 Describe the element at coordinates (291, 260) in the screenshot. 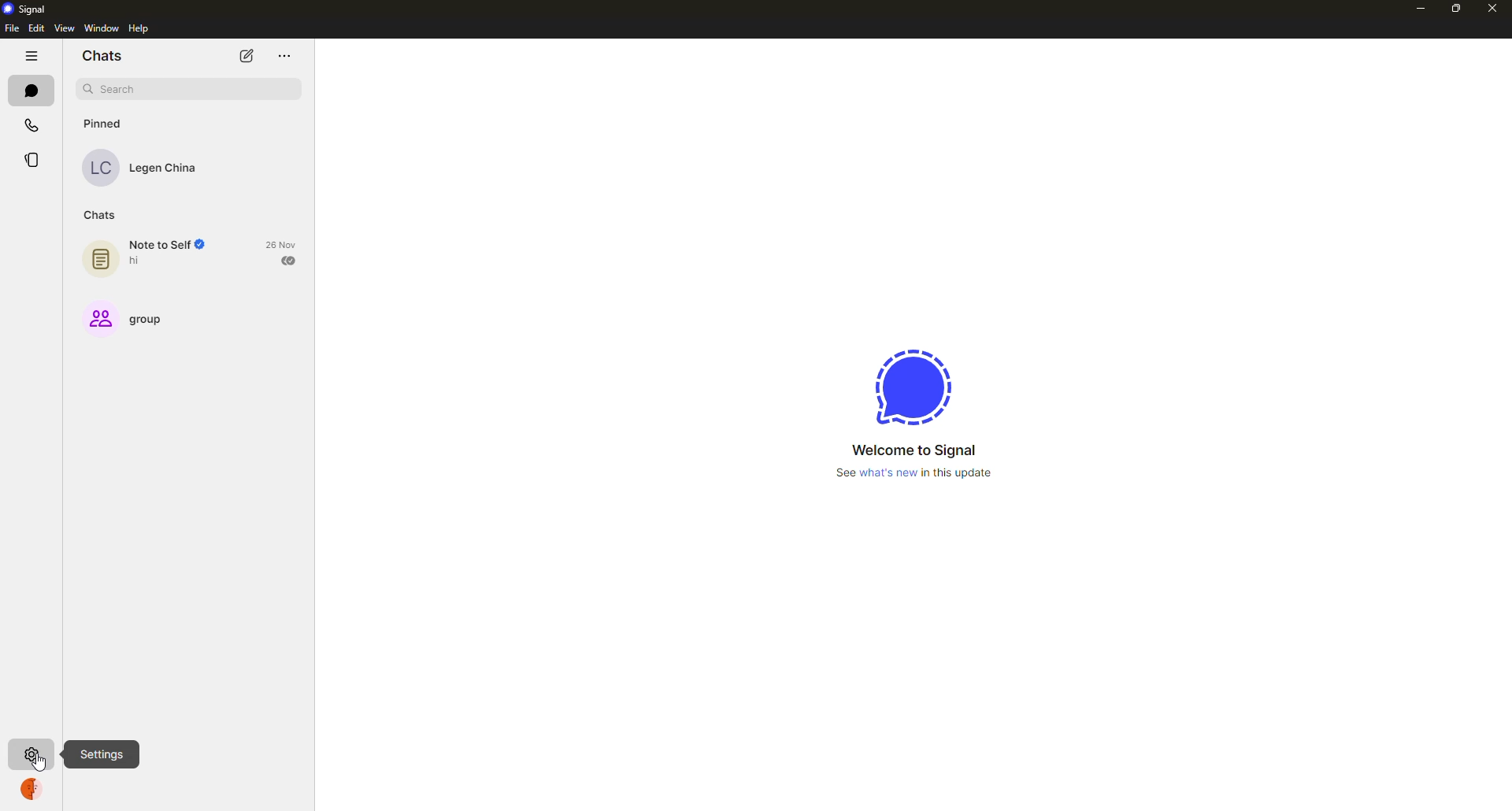

I see `sent` at that location.